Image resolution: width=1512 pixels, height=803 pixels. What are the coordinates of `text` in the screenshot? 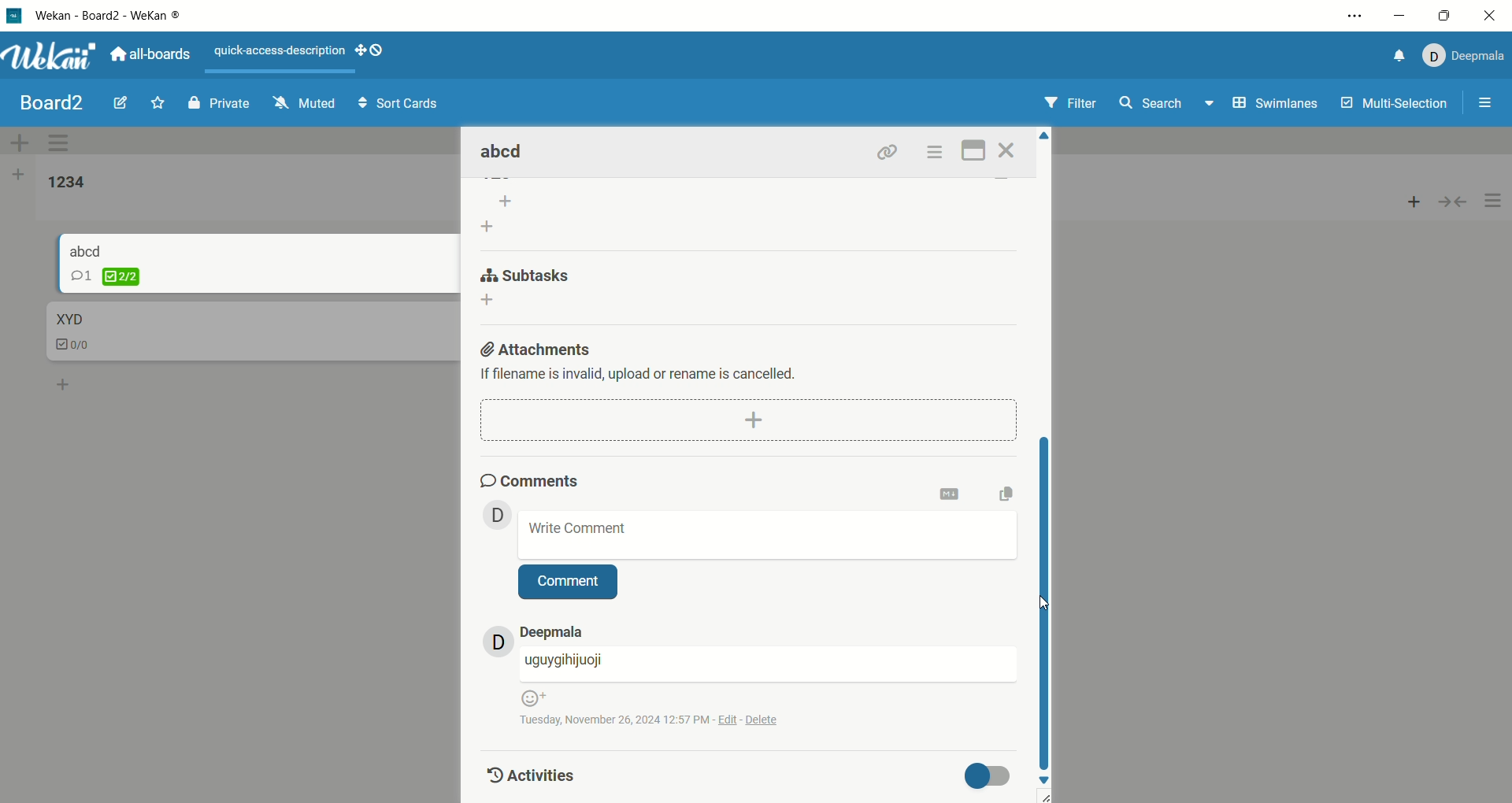 It's located at (281, 52).